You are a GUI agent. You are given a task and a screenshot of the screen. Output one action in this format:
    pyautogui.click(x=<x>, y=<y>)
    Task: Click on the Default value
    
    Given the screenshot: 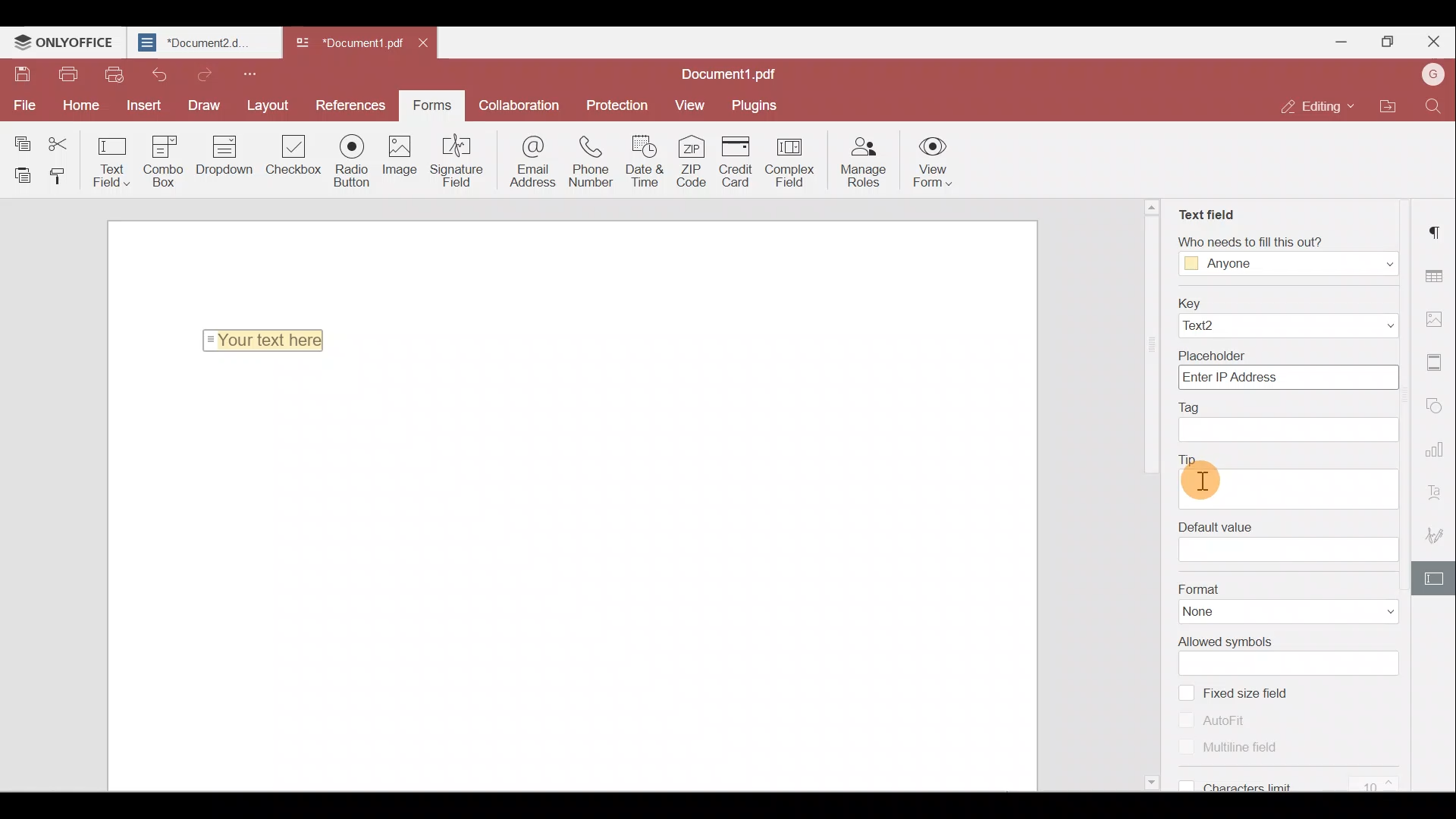 What is the action you would take?
    pyautogui.click(x=1216, y=522)
    